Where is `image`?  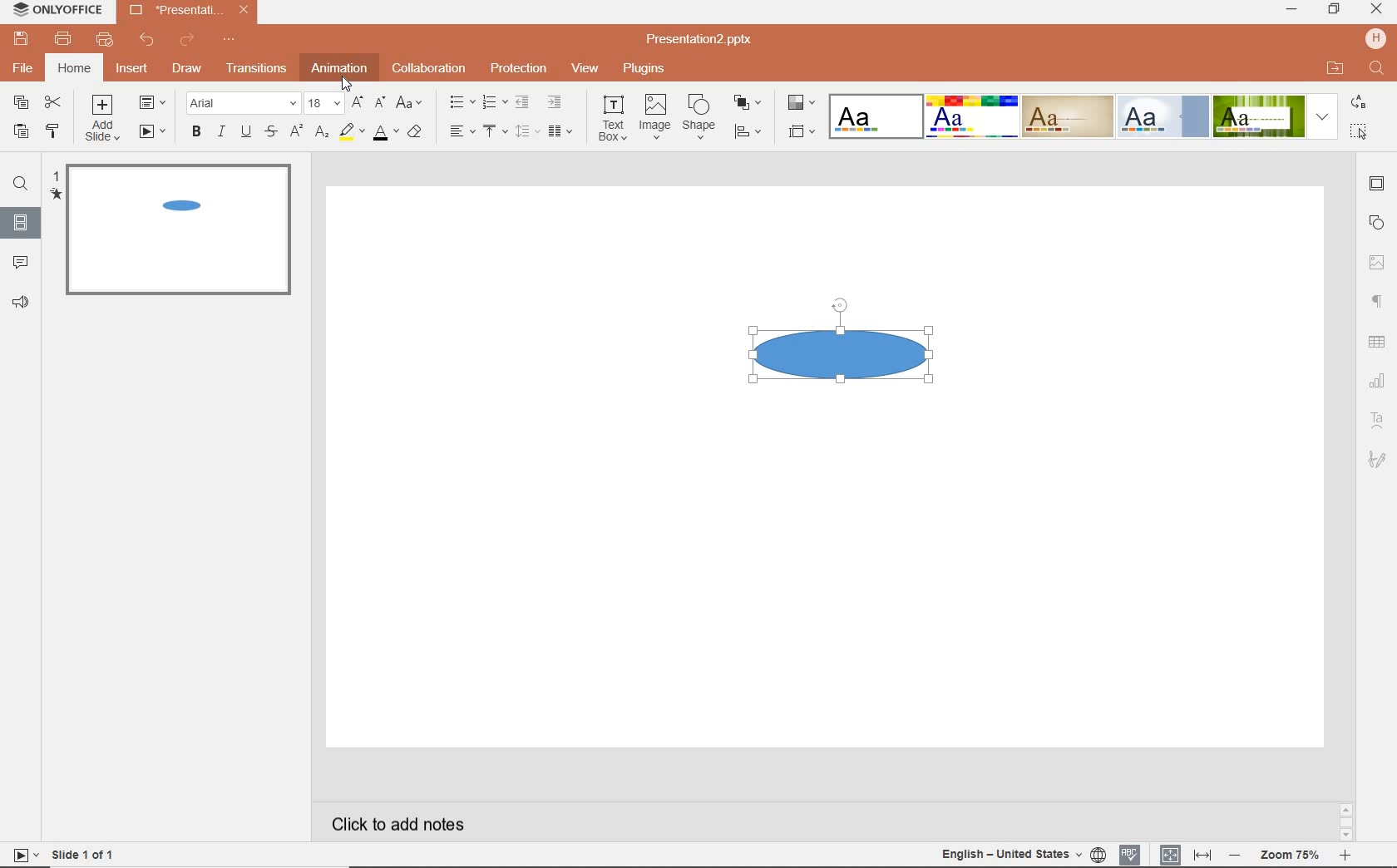 image is located at coordinates (656, 118).